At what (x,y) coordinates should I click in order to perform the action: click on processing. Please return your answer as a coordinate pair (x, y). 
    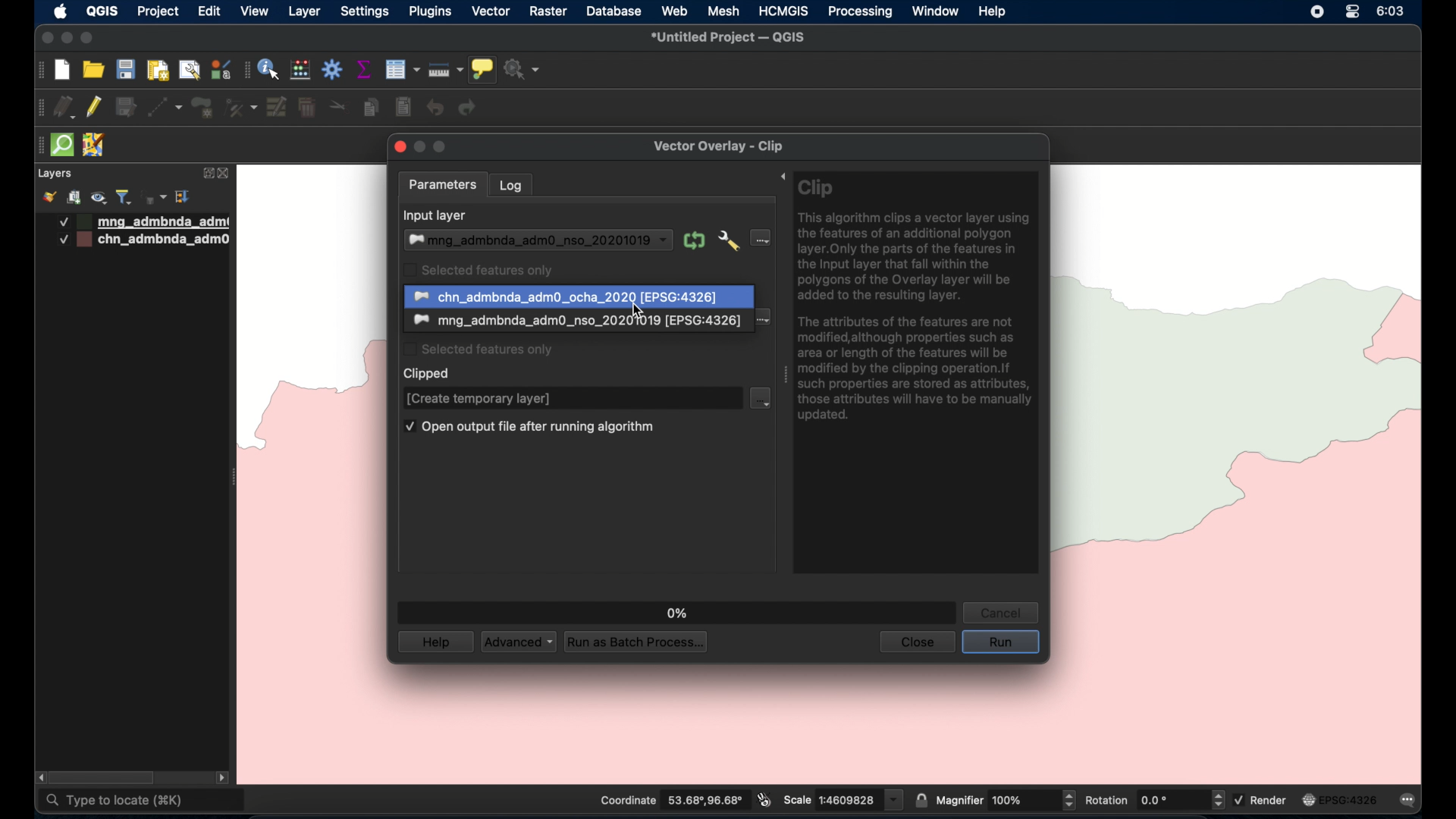
    Looking at the image, I should click on (861, 13).